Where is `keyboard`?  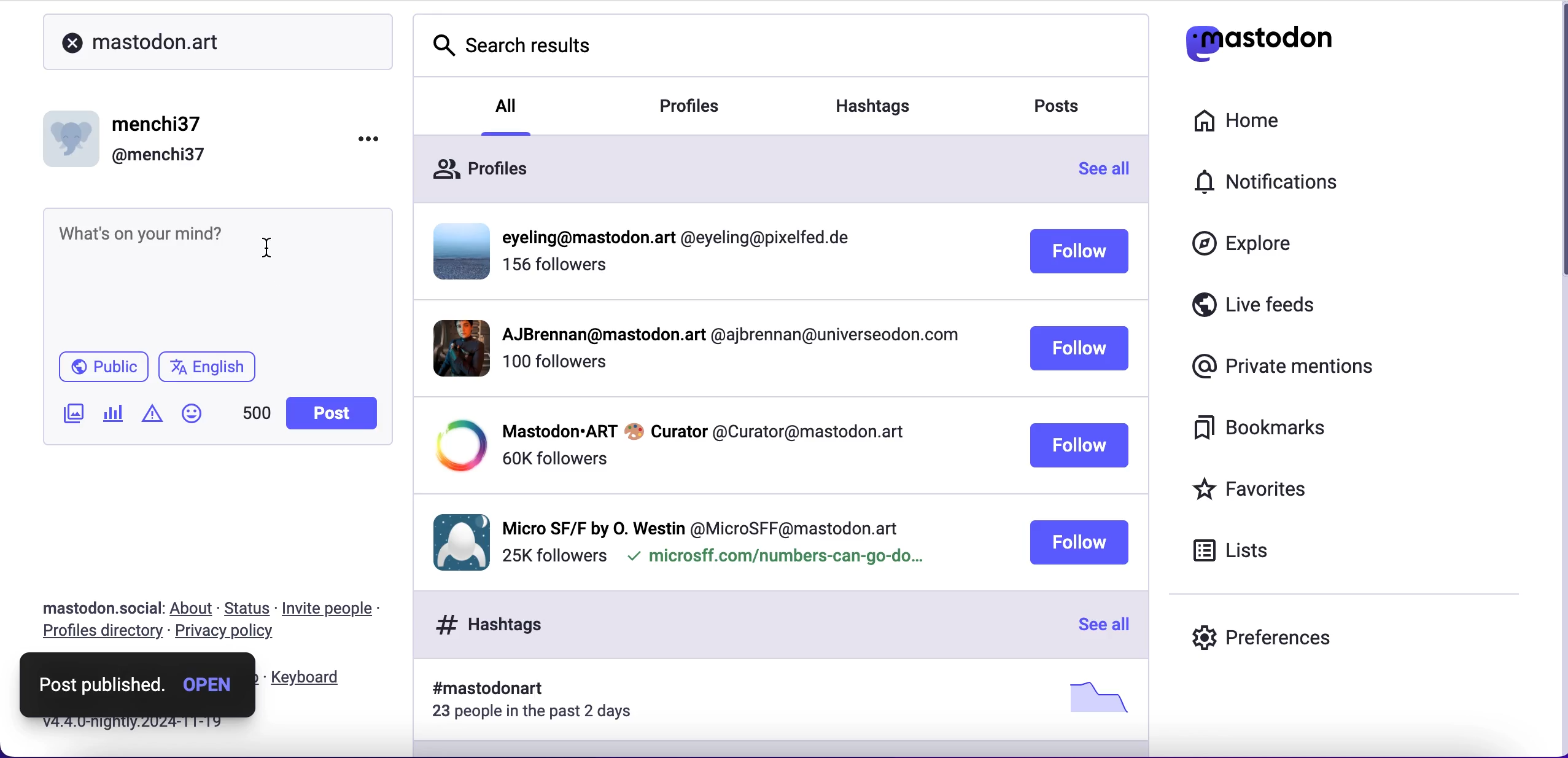
keyboard is located at coordinates (308, 678).